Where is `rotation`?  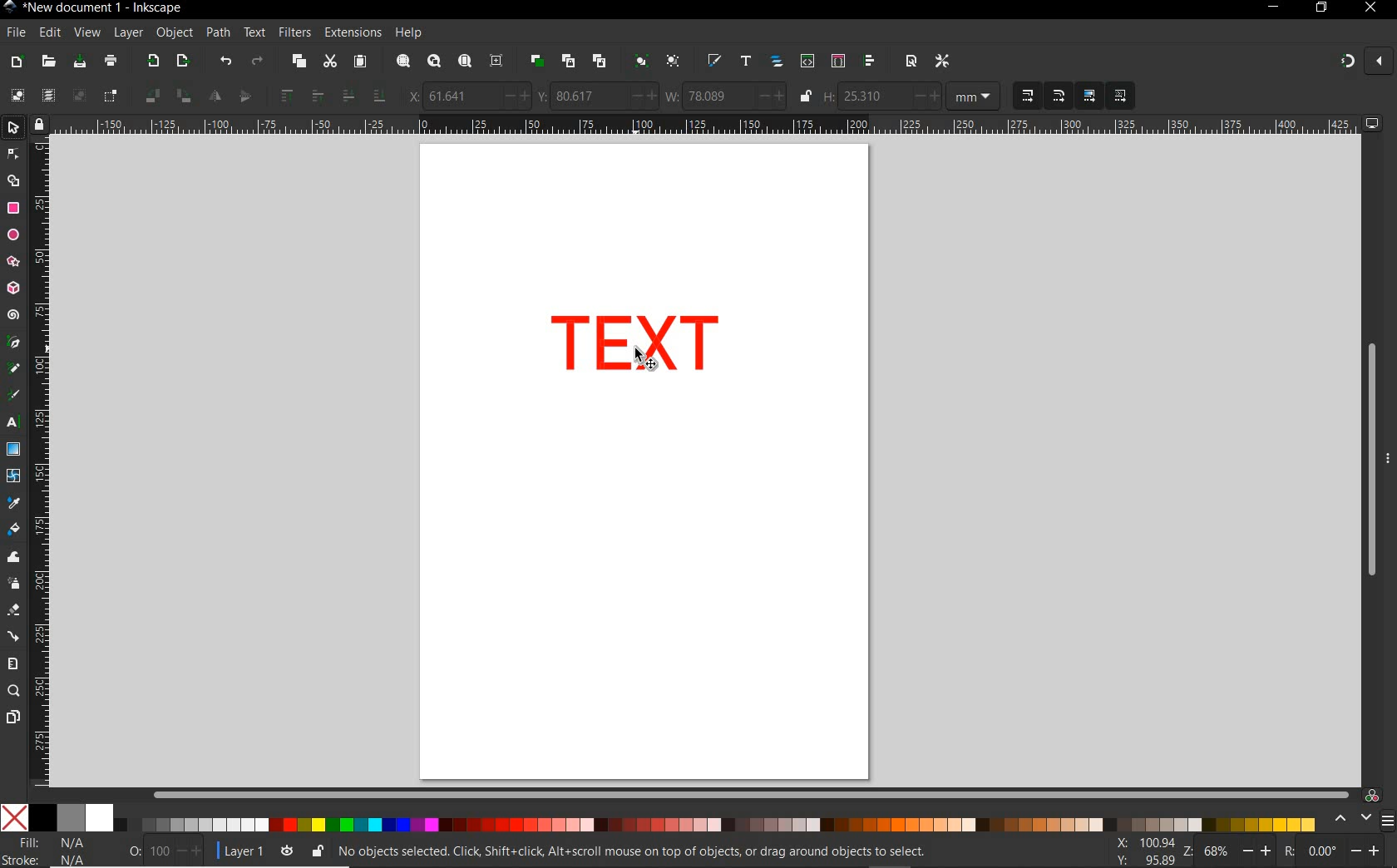 rotation is located at coordinates (1334, 850).